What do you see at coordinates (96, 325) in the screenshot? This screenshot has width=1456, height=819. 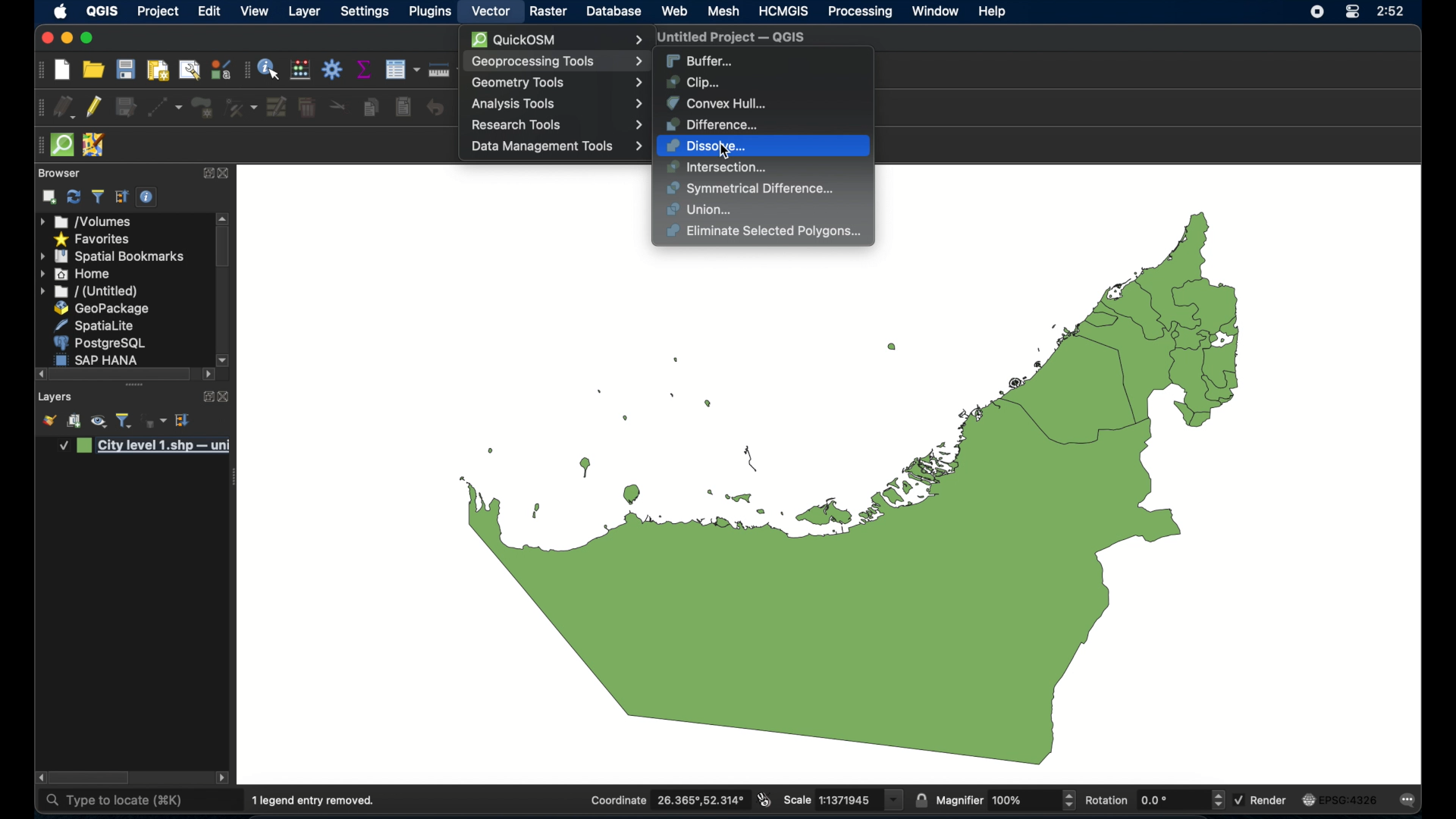 I see `spatial lite` at bounding box center [96, 325].